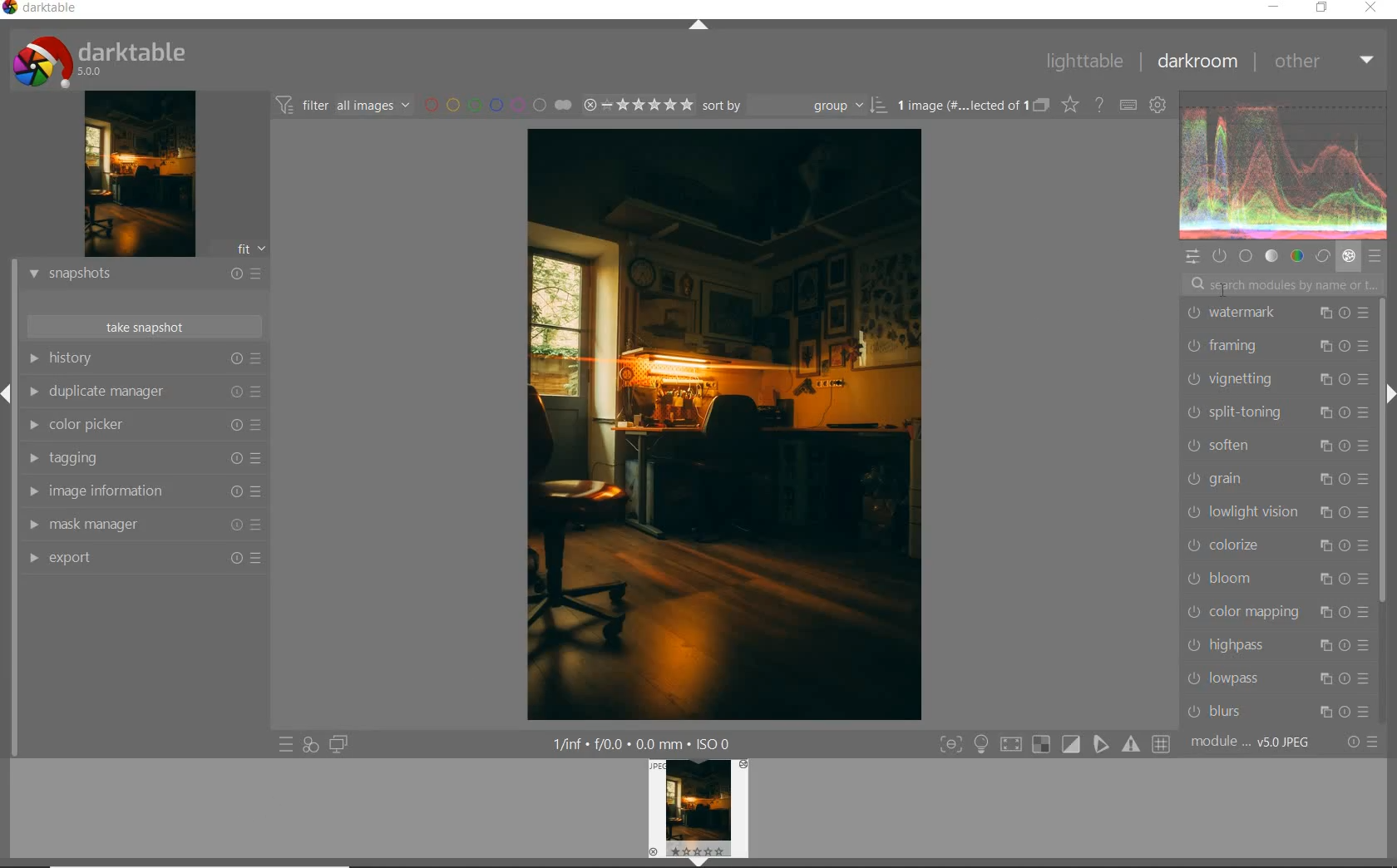 The image size is (1397, 868). I want to click on watermark, so click(1276, 313).